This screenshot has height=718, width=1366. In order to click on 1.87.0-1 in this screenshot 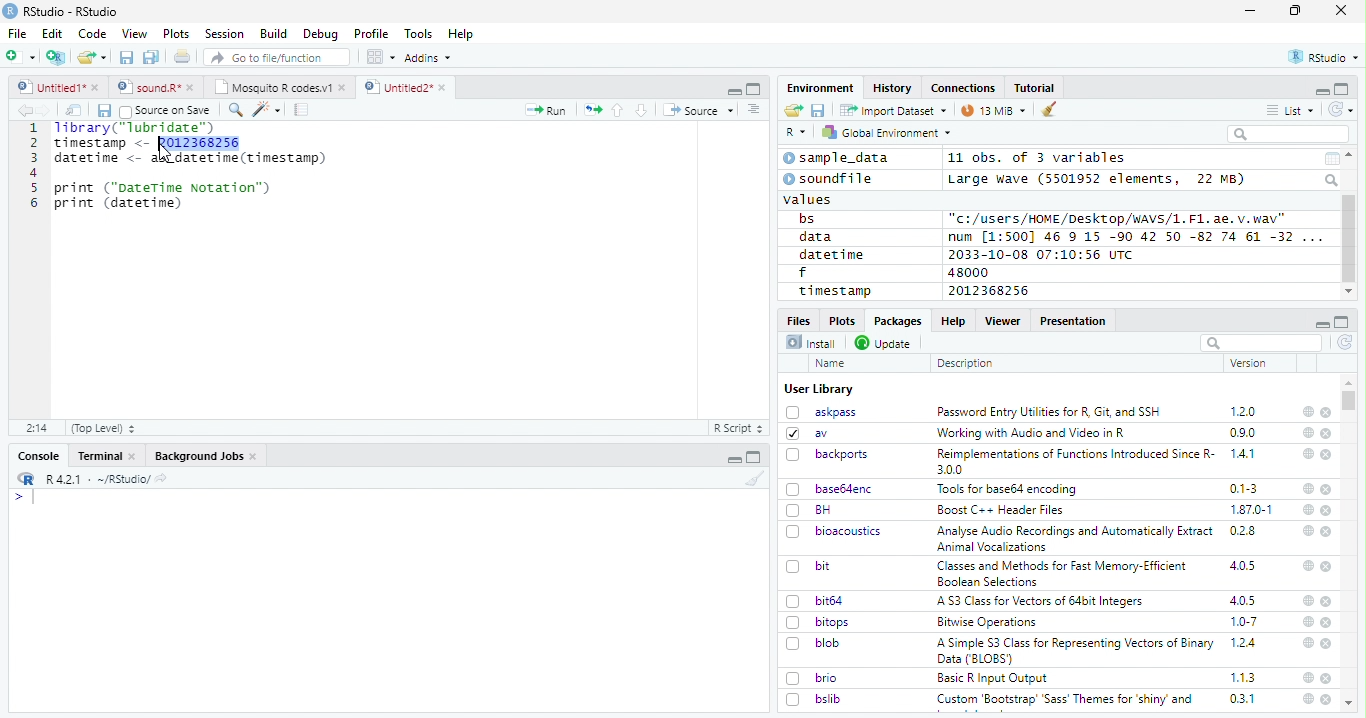, I will do `click(1251, 510)`.